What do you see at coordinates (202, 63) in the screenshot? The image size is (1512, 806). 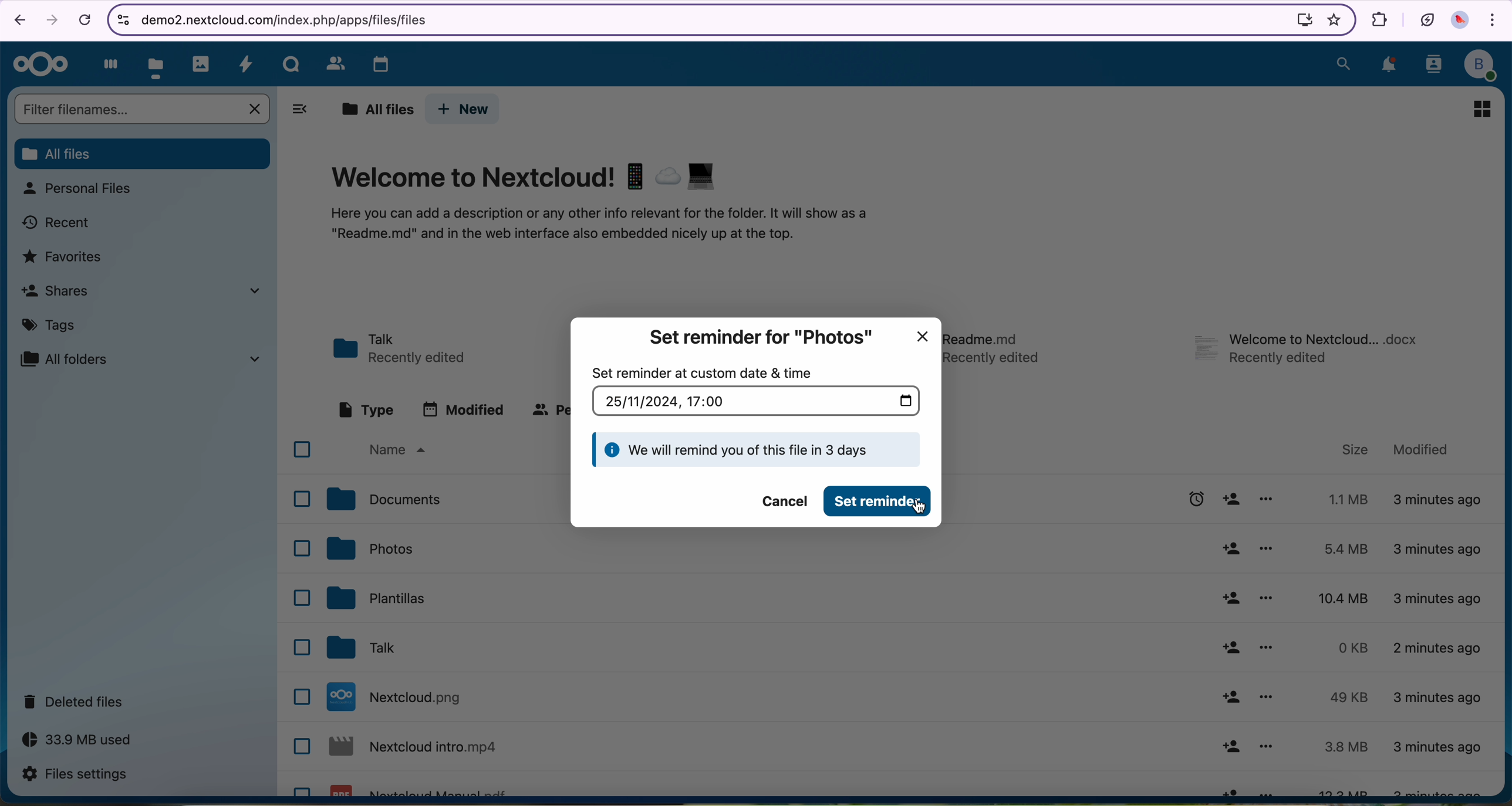 I see `photos` at bounding box center [202, 63].